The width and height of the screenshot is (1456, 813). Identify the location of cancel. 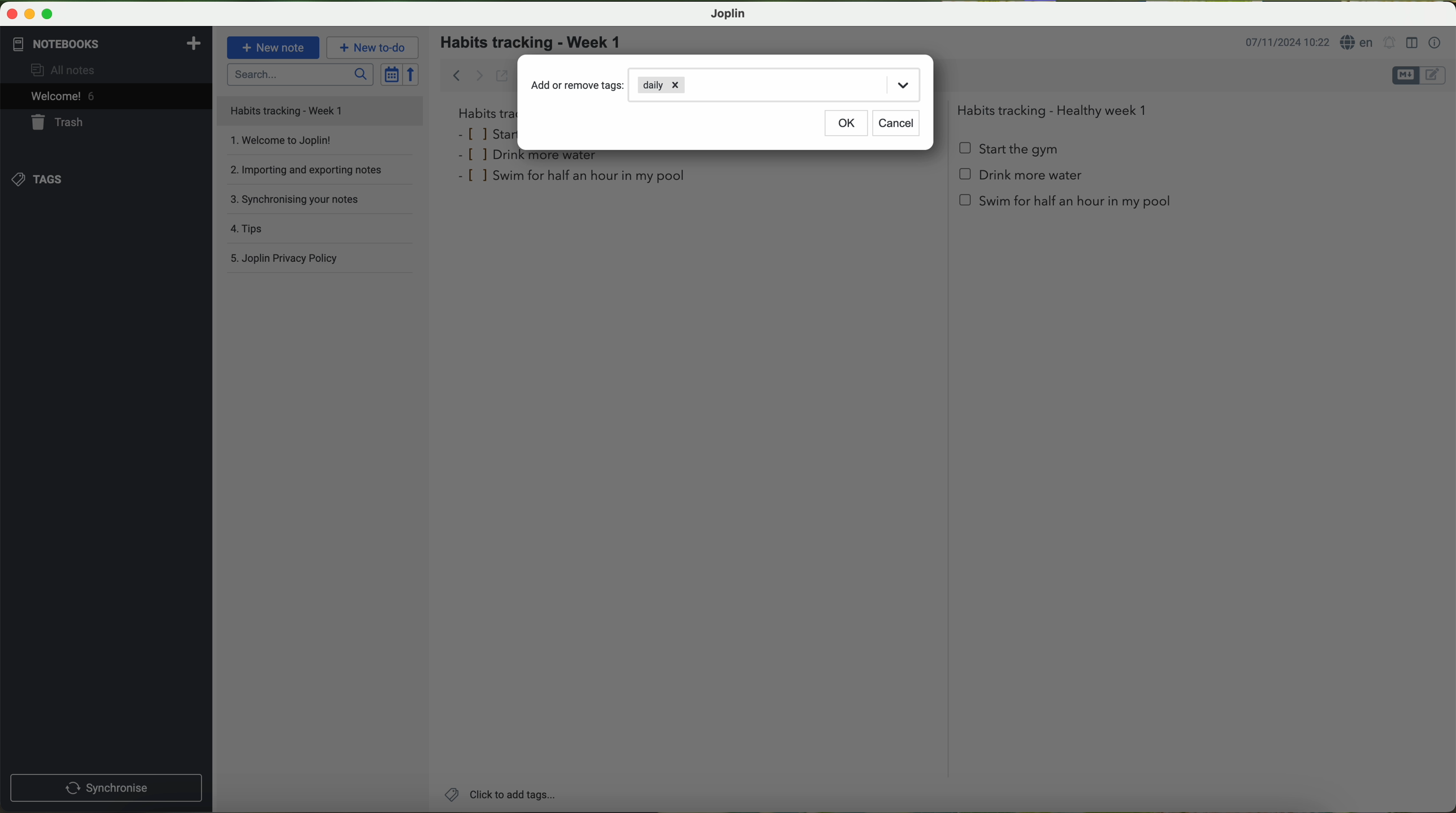
(895, 124).